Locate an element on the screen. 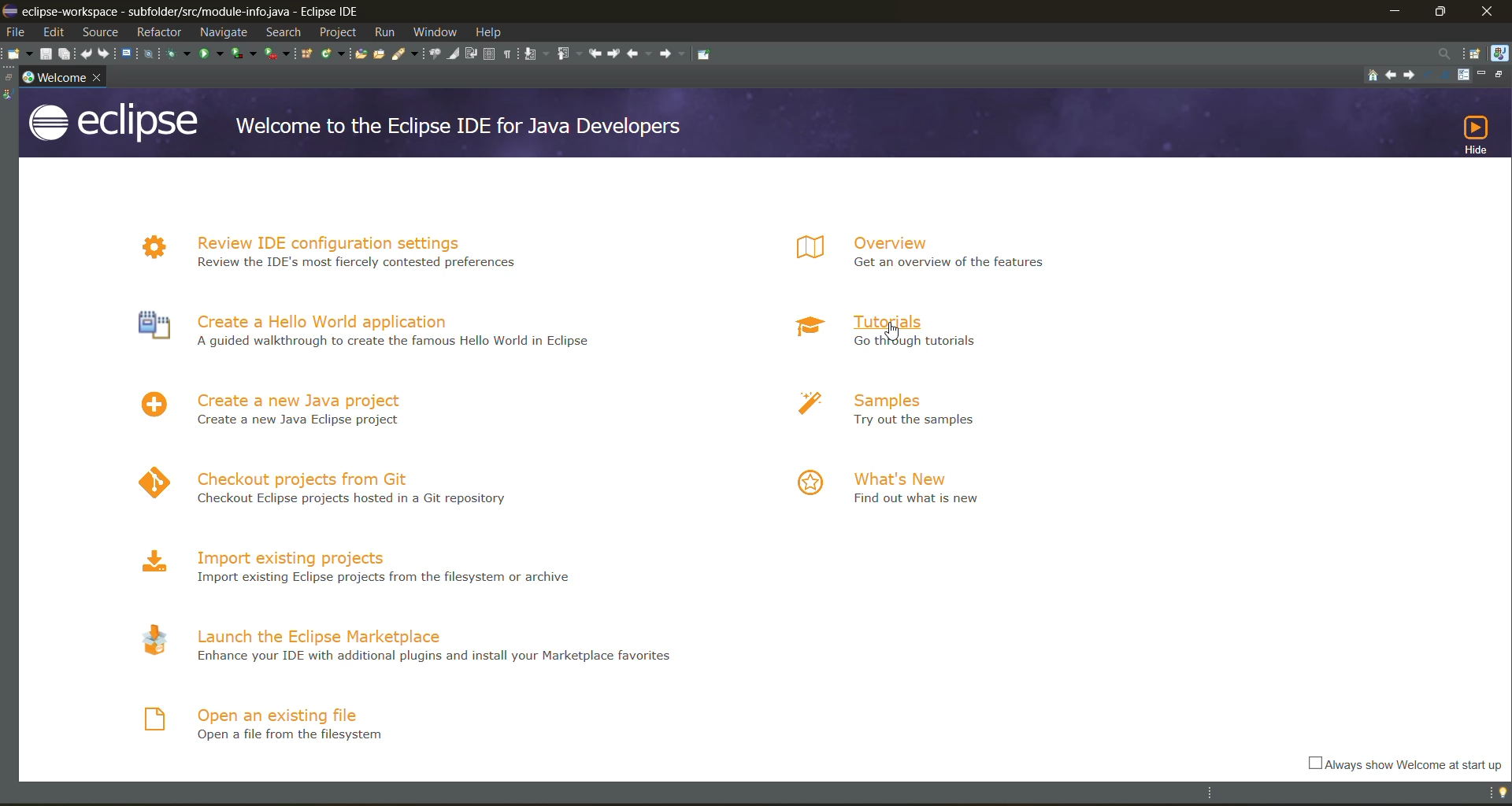 The width and height of the screenshot is (1512, 806). restore is located at coordinates (9, 80).